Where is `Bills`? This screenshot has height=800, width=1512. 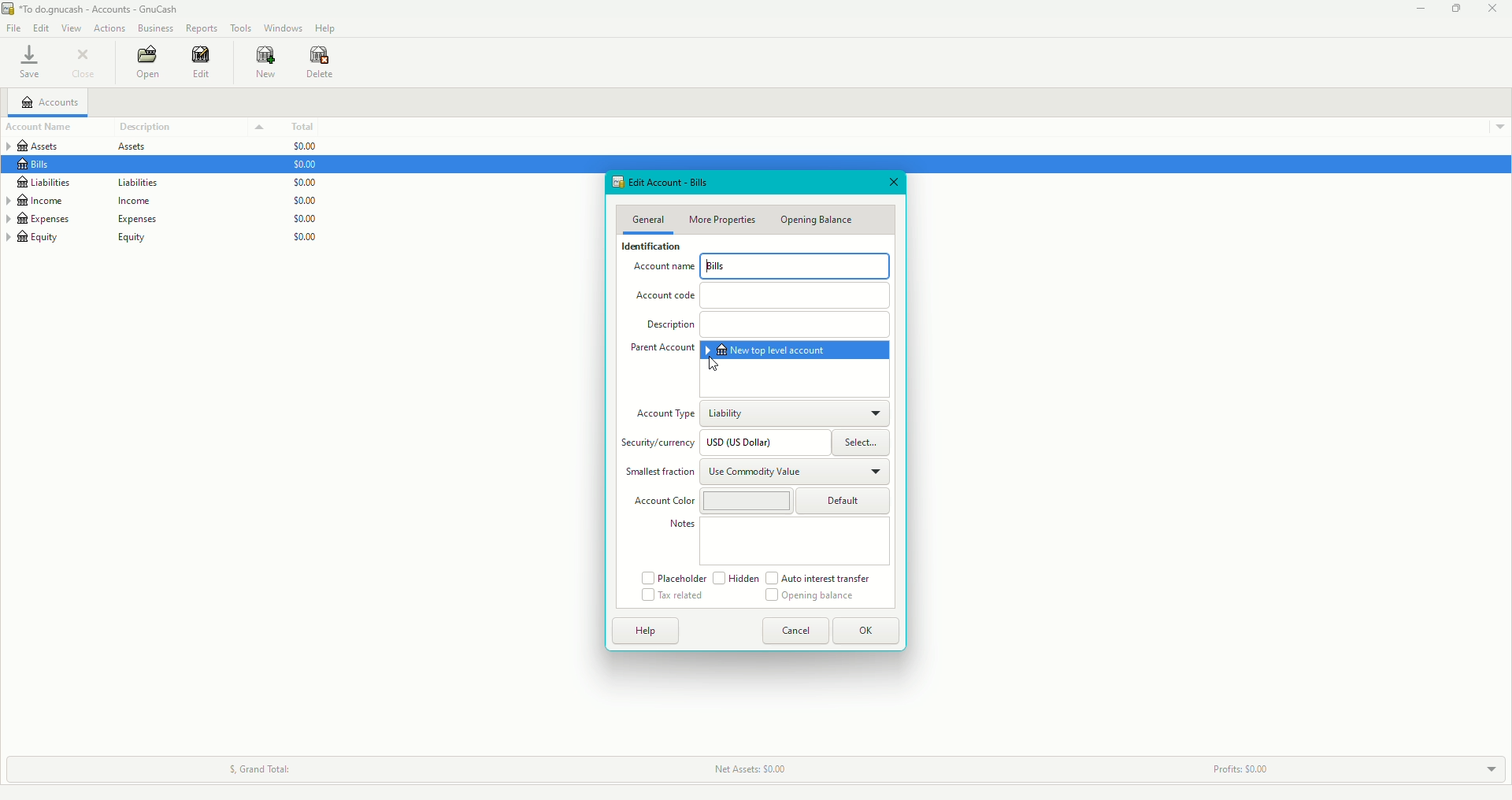
Bills is located at coordinates (37, 165).